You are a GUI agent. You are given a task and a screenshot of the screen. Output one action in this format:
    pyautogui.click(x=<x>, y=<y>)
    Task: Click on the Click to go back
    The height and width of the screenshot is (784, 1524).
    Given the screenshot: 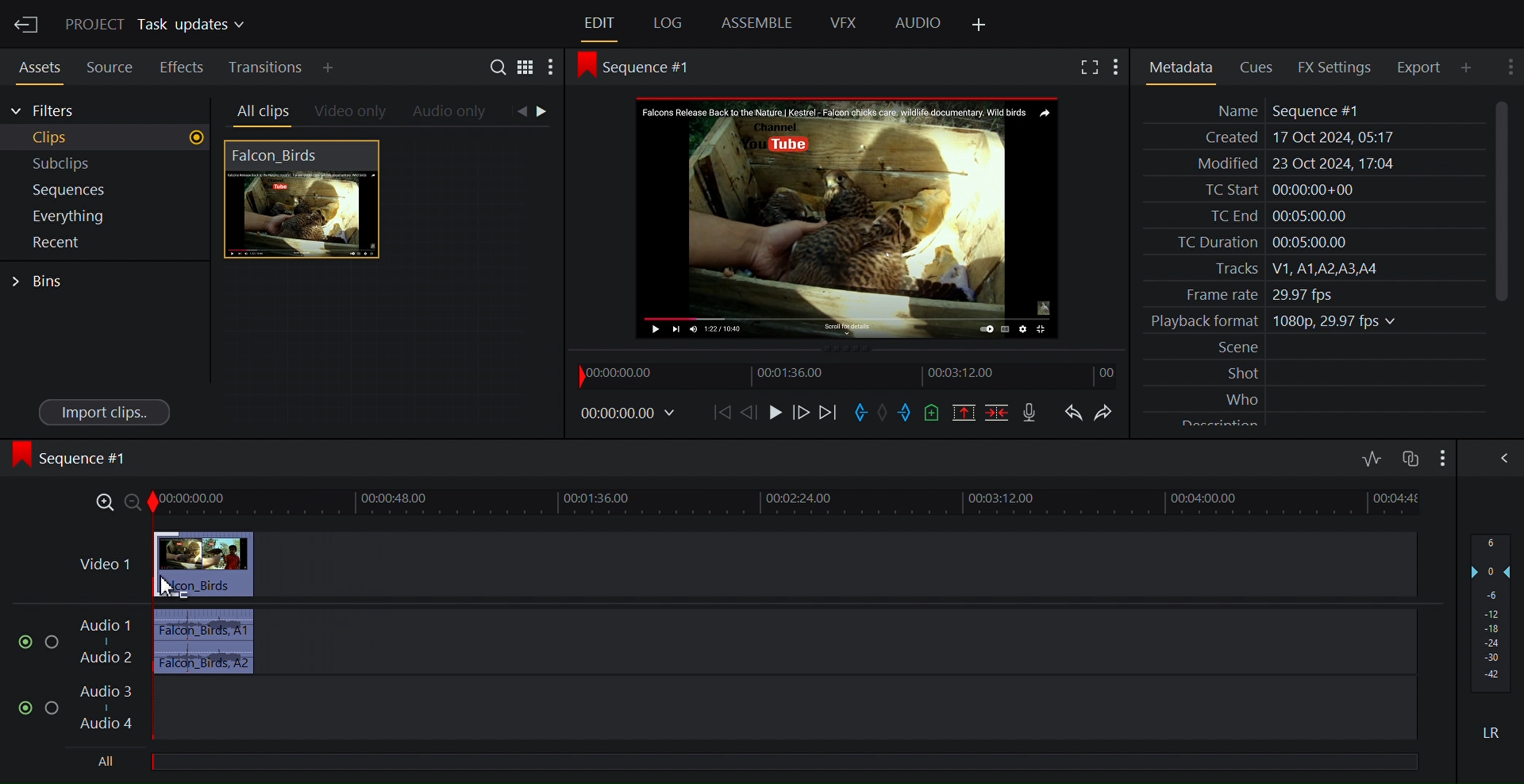 What is the action you would take?
    pyautogui.click(x=518, y=112)
    